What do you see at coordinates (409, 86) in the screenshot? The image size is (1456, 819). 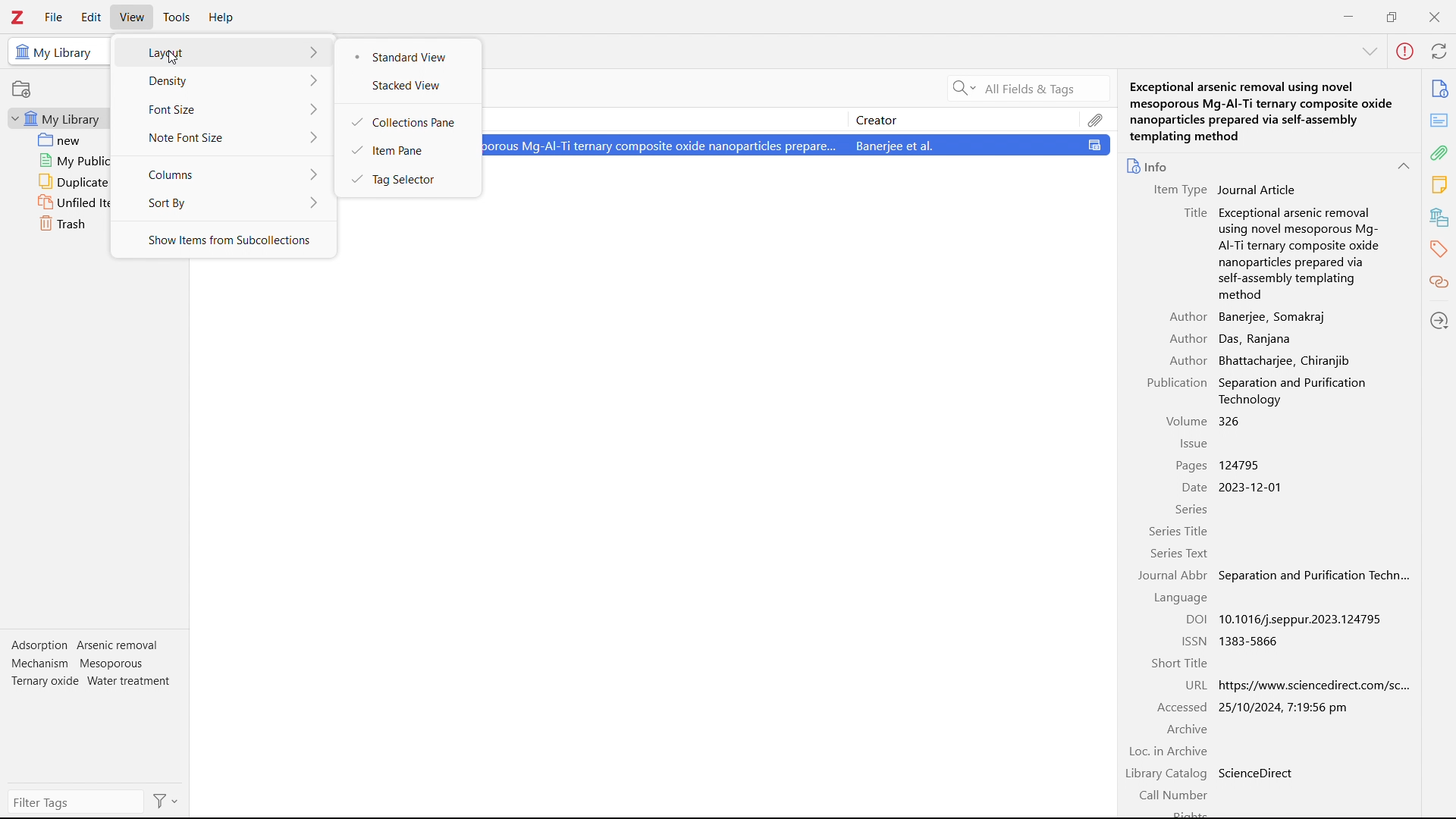 I see `stacked view` at bounding box center [409, 86].